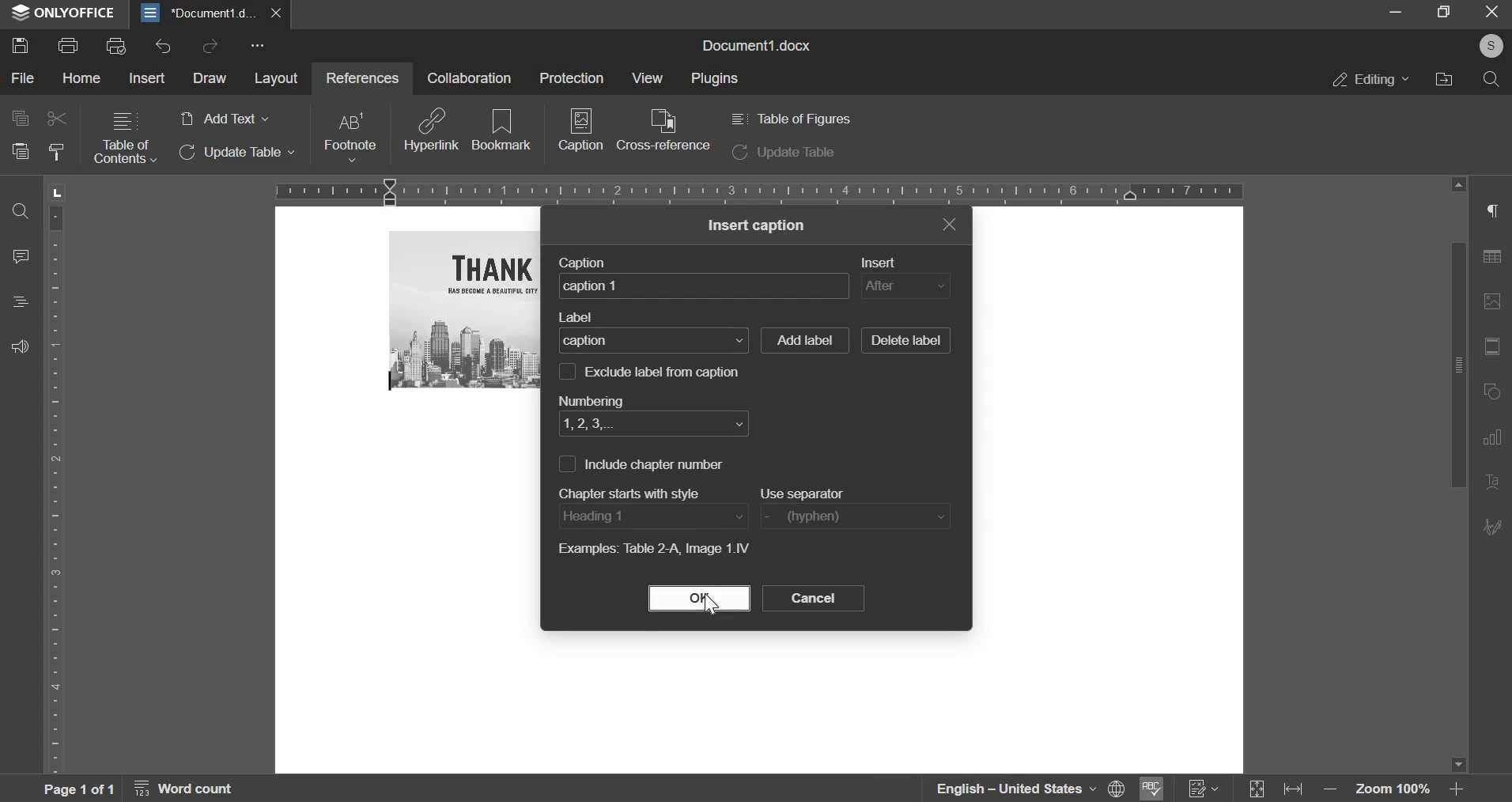 The image size is (1512, 802). Describe the element at coordinates (1297, 791) in the screenshot. I see `fit` at that location.